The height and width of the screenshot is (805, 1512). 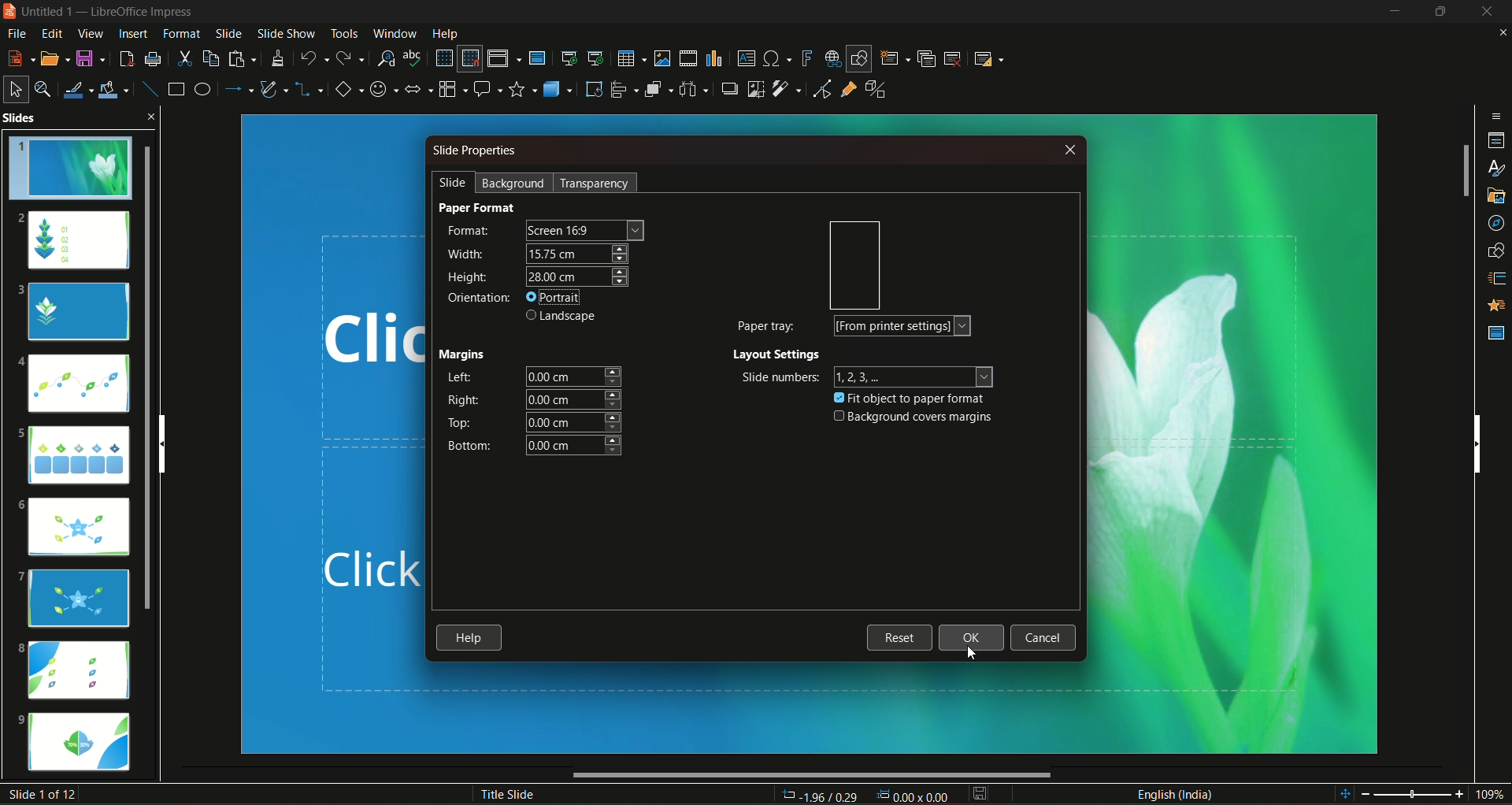 I want to click on show gluepoint function, so click(x=848, y=91).